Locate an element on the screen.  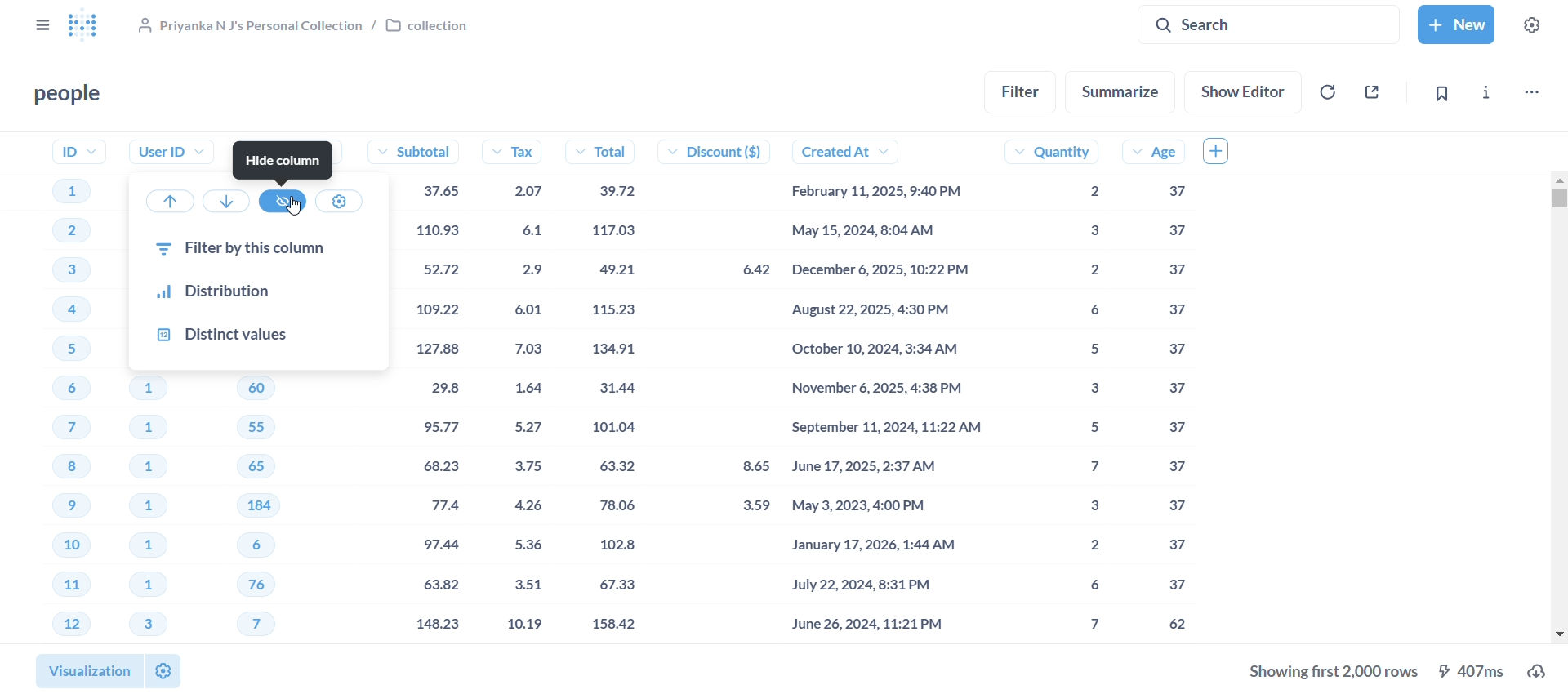
discount is located at coordinates (725, 388).